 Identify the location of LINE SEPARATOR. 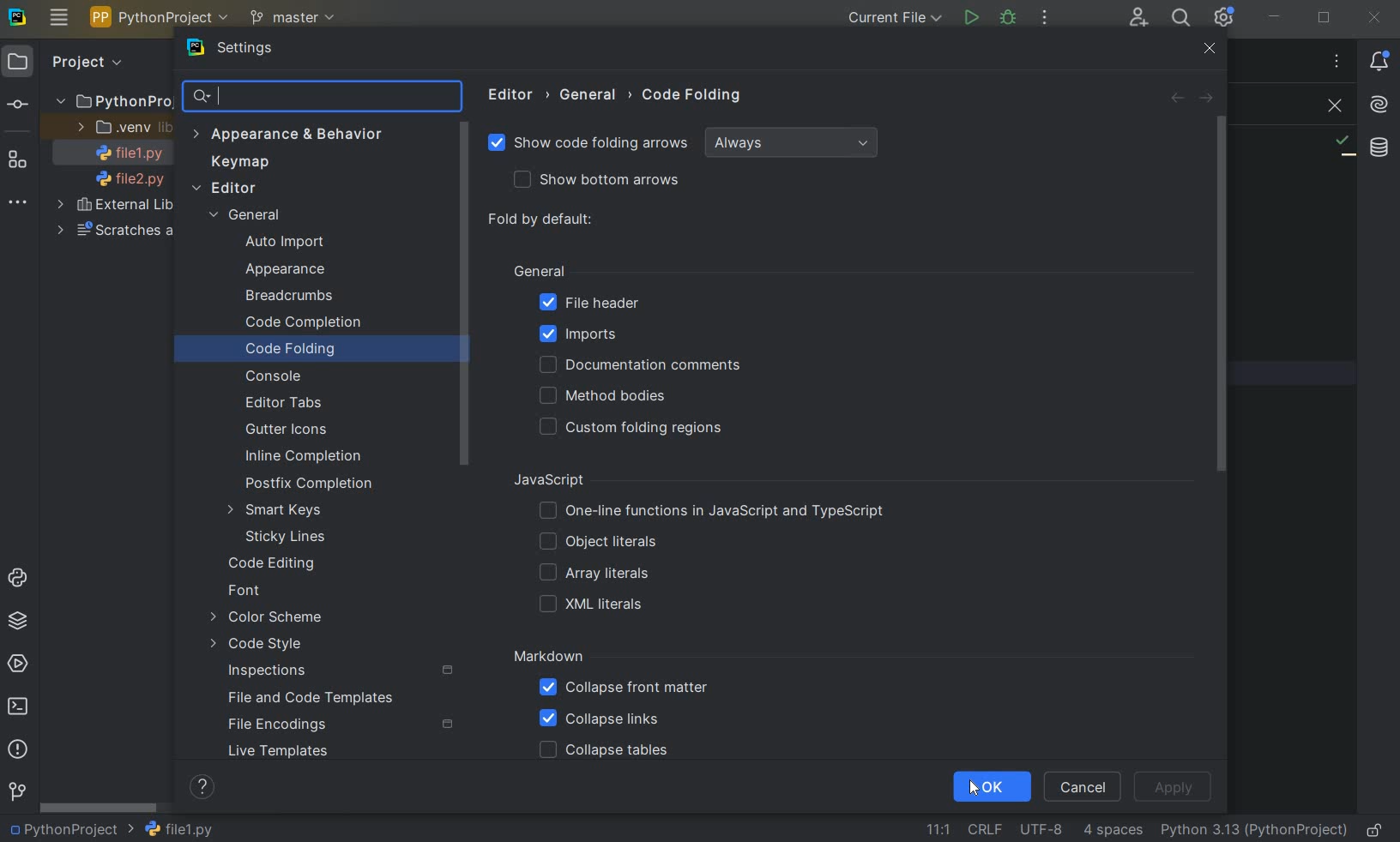
(984, 828).